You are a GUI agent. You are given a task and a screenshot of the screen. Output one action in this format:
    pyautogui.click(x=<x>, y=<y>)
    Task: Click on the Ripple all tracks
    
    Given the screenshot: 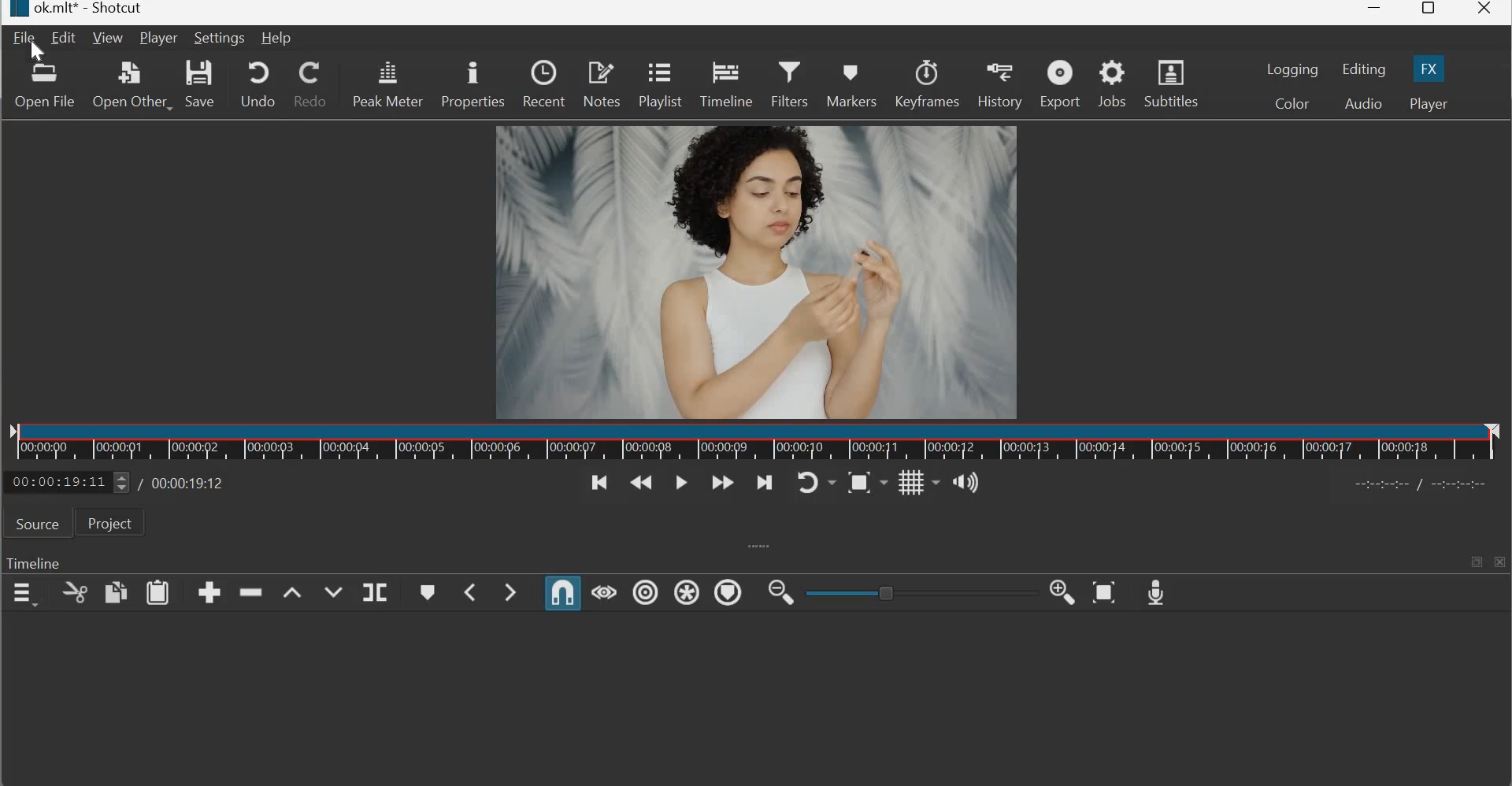 What is the action you would take?
    pyautogui.click(x=687, y=591)
    